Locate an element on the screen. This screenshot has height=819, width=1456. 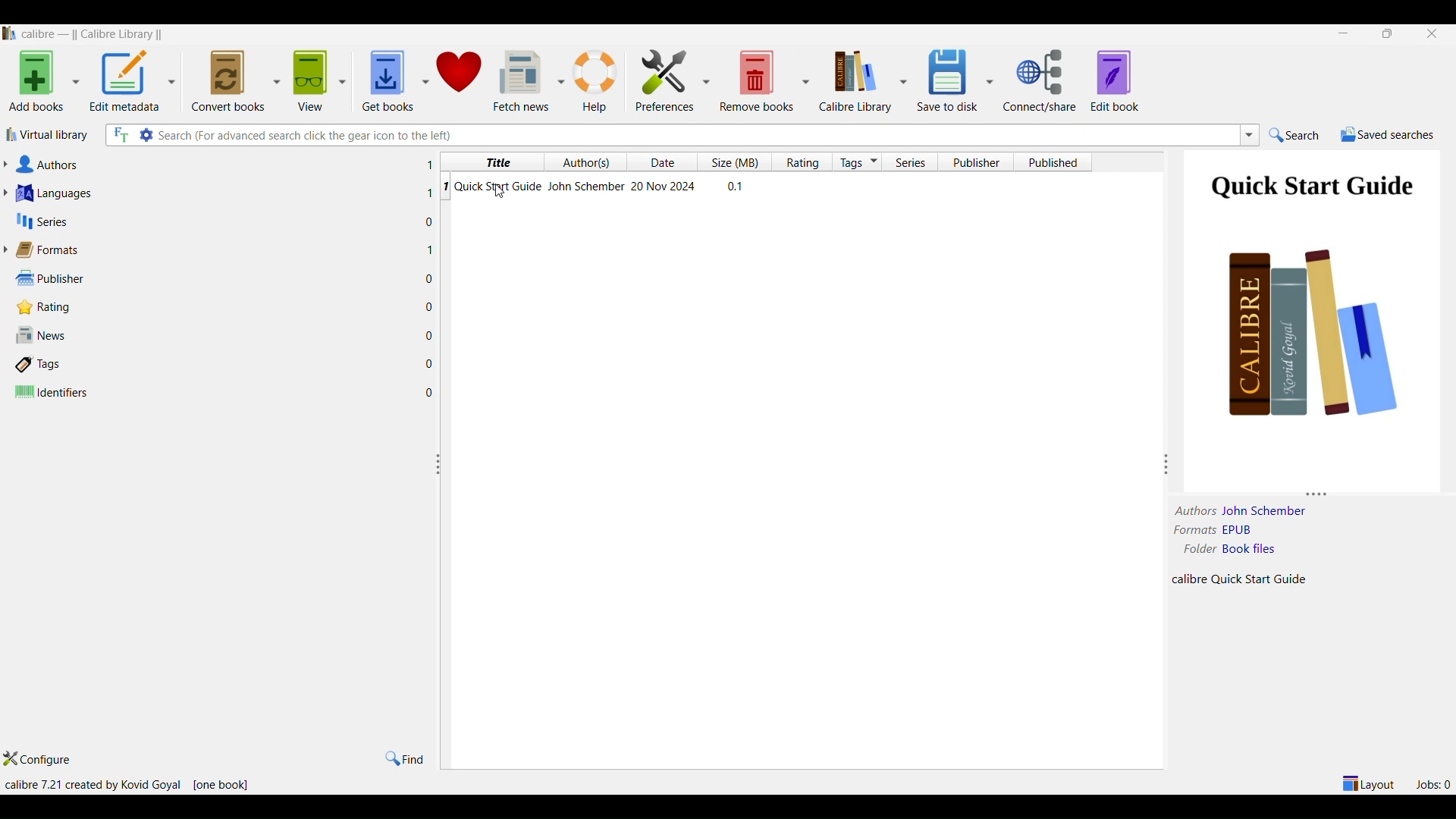
folder is located at coordinates (1195, 551).